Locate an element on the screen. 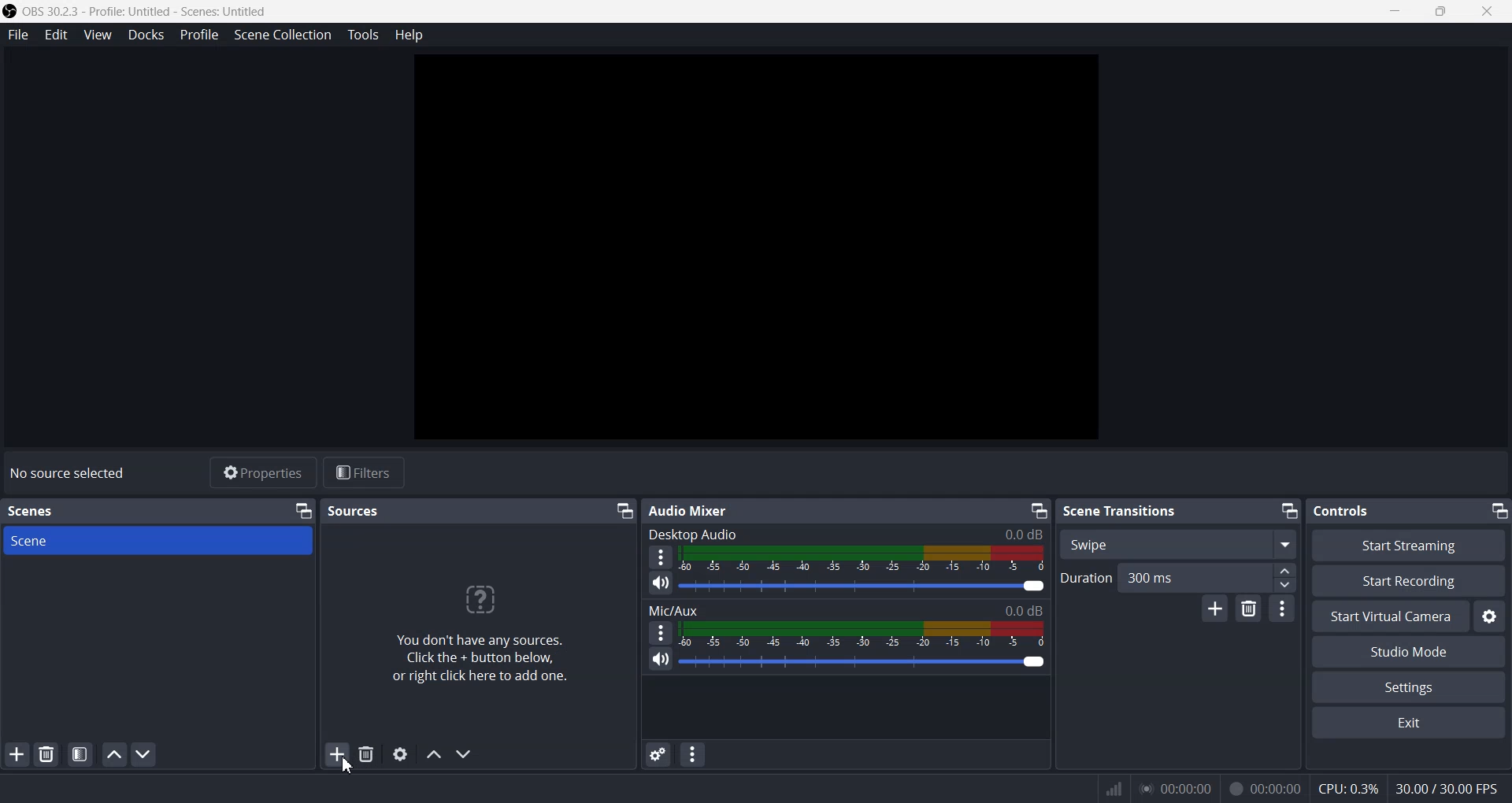  Start Streaming is located at coordinates (1410, 546).